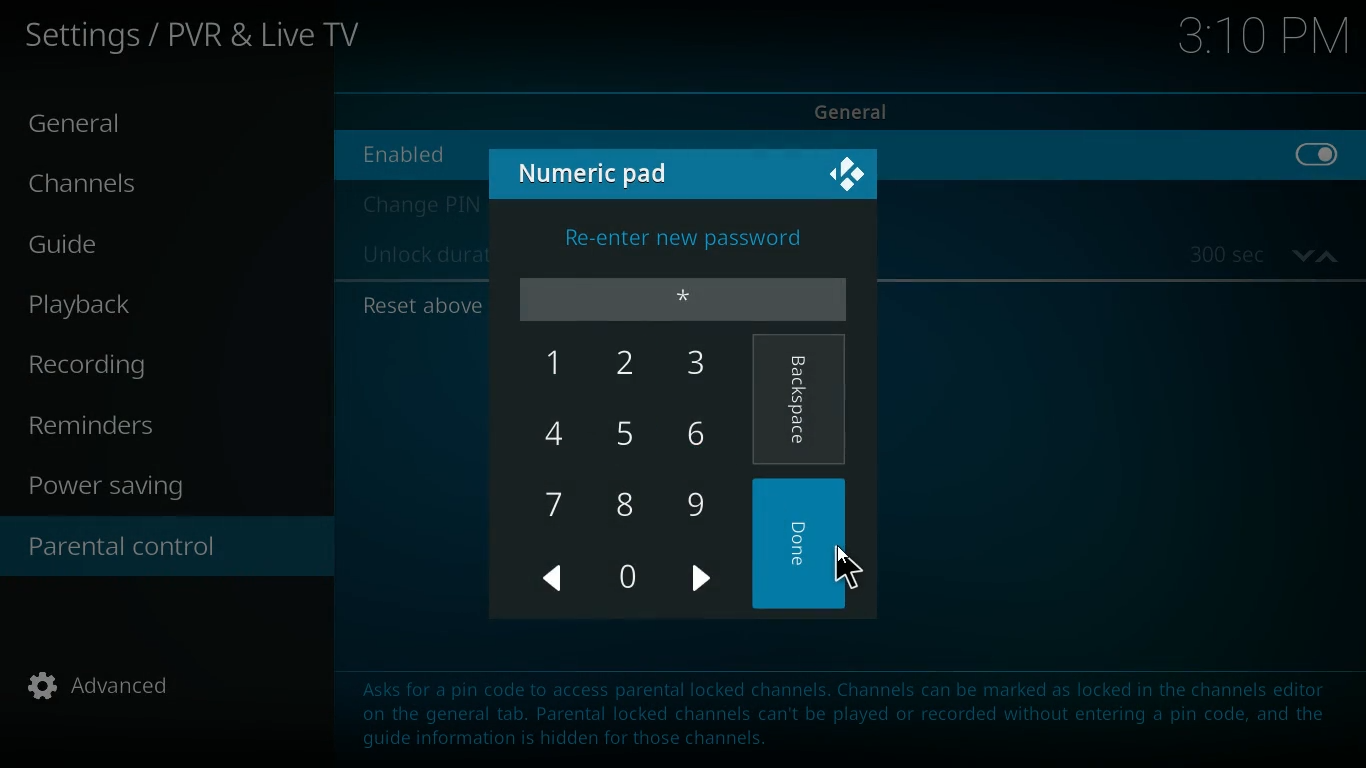  I want to click on done, so click(803, 545).